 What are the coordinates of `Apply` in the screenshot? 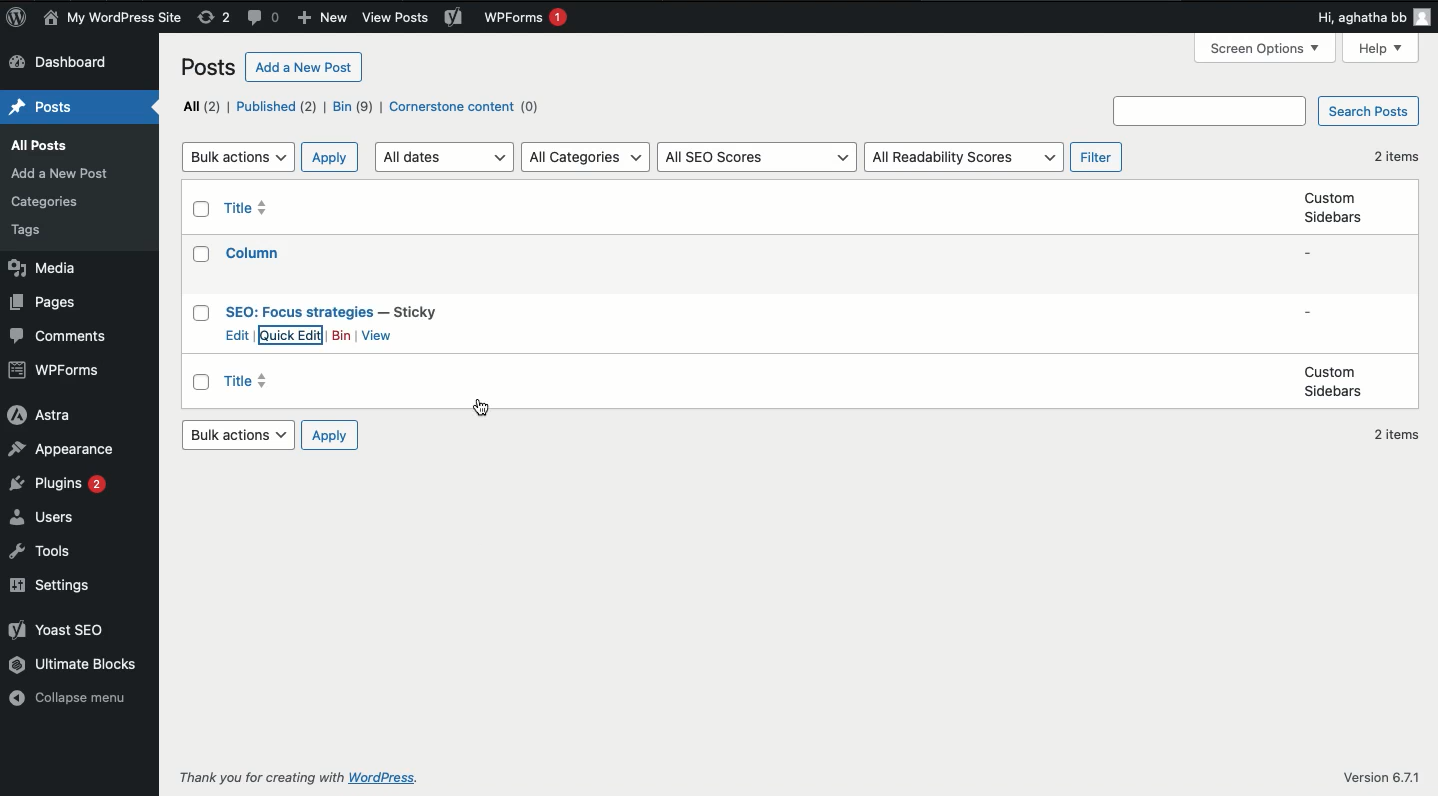 It's located at (329, 436).